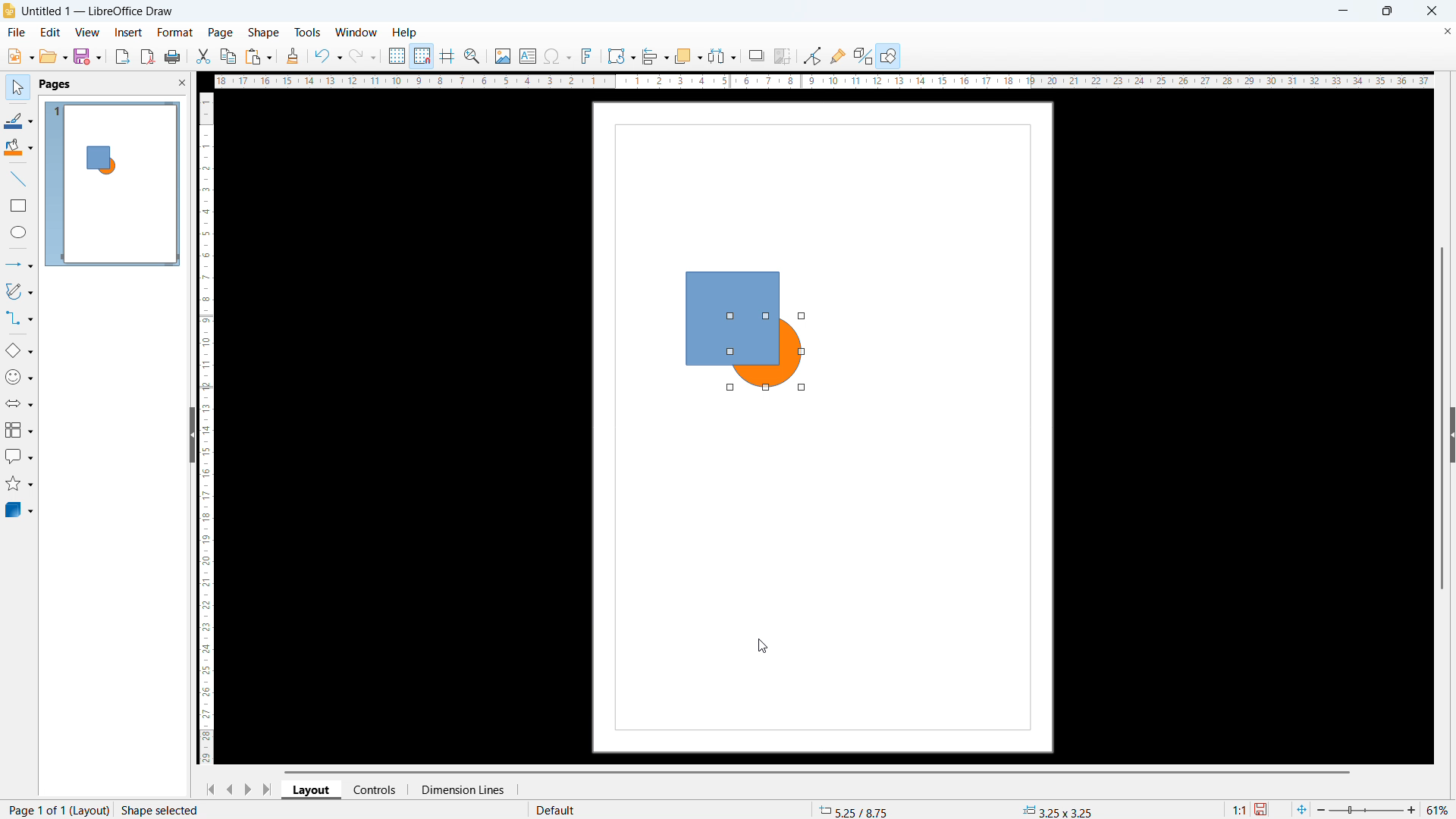 The image size is (1456, 819). Describe the element at coordinates (364, 55) in the screenshot. I see `redo` at that location.